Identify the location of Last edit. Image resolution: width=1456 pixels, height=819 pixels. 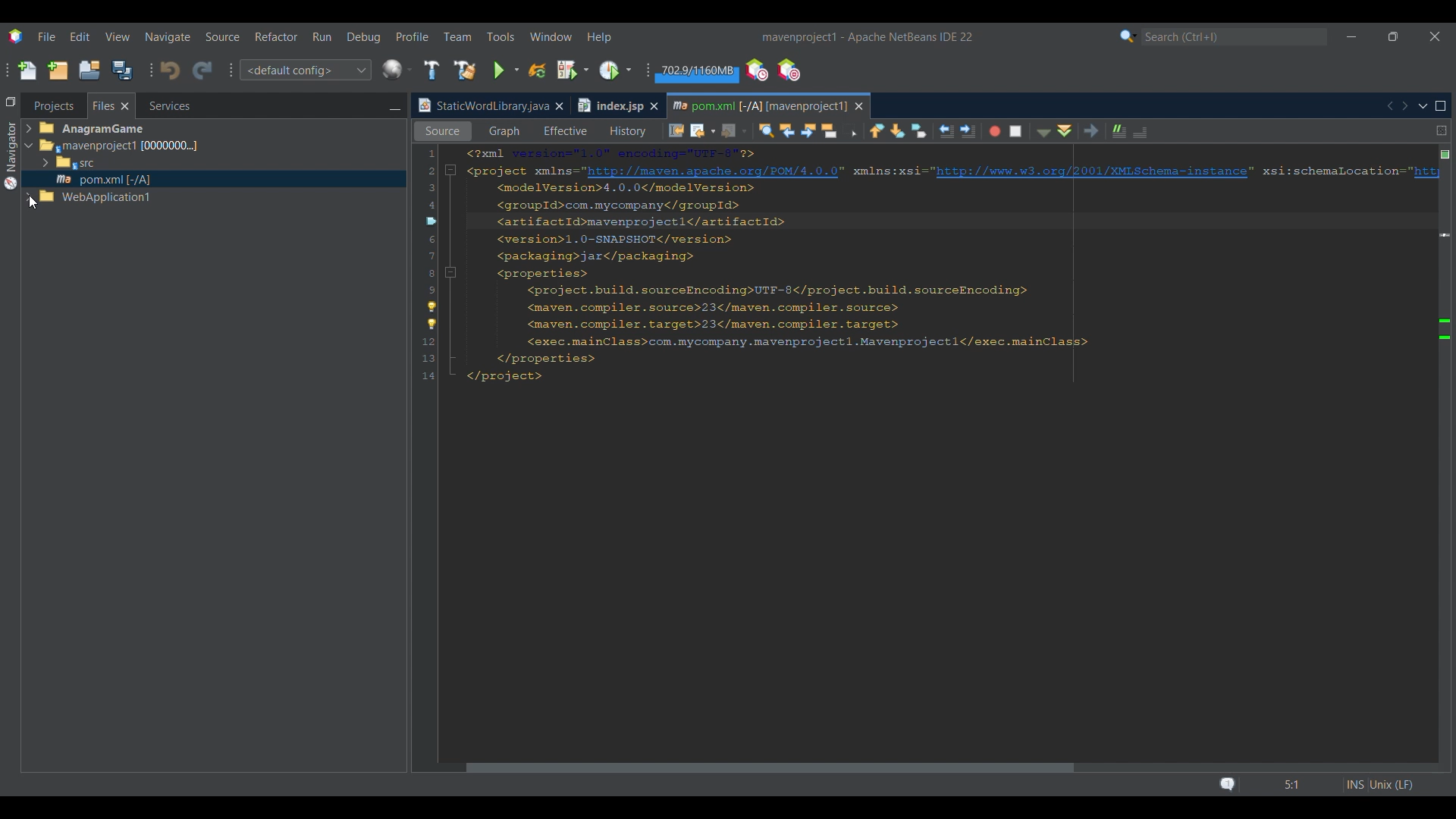
(676, 130).